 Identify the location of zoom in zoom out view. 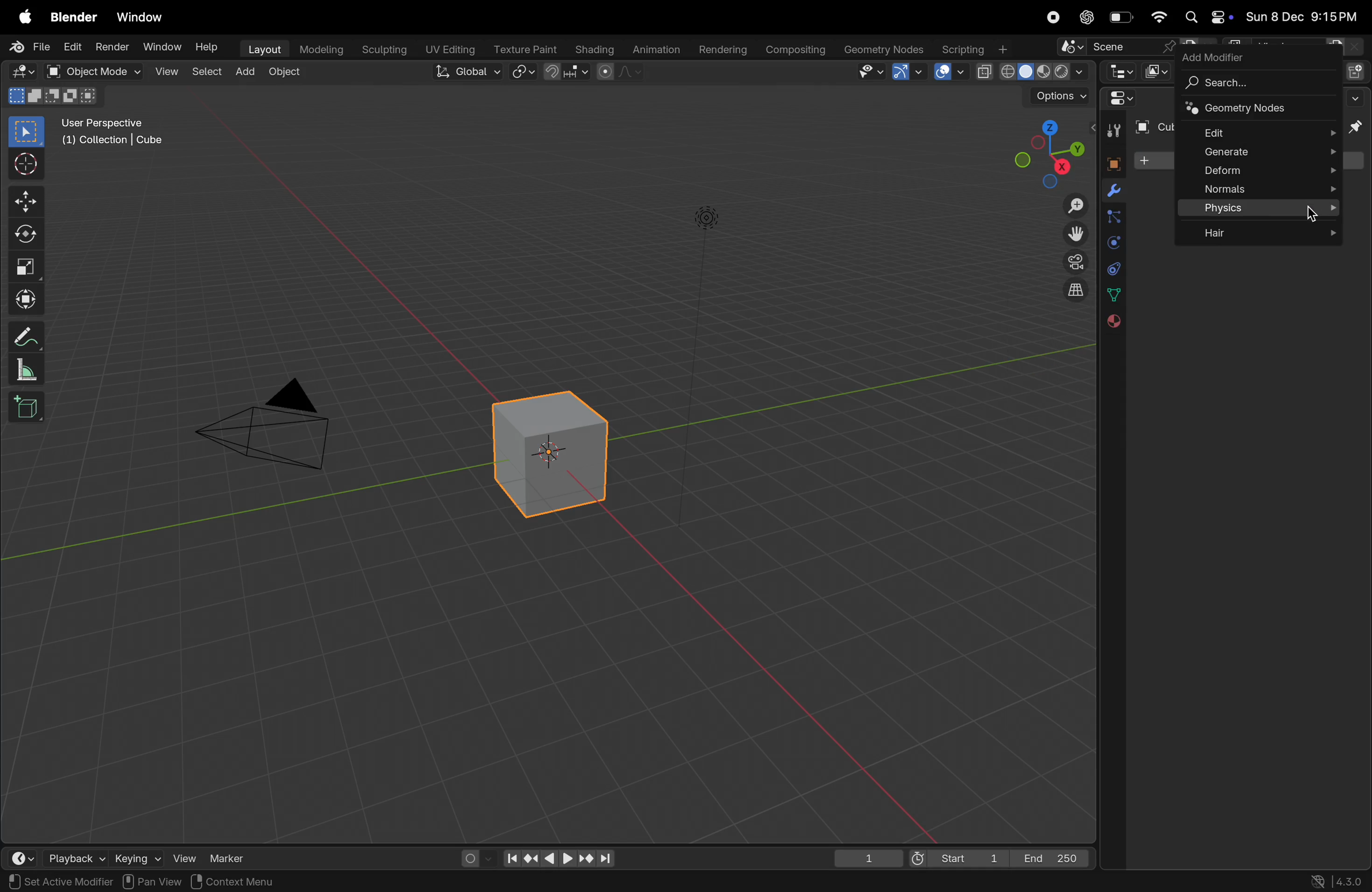
(1071, 206).